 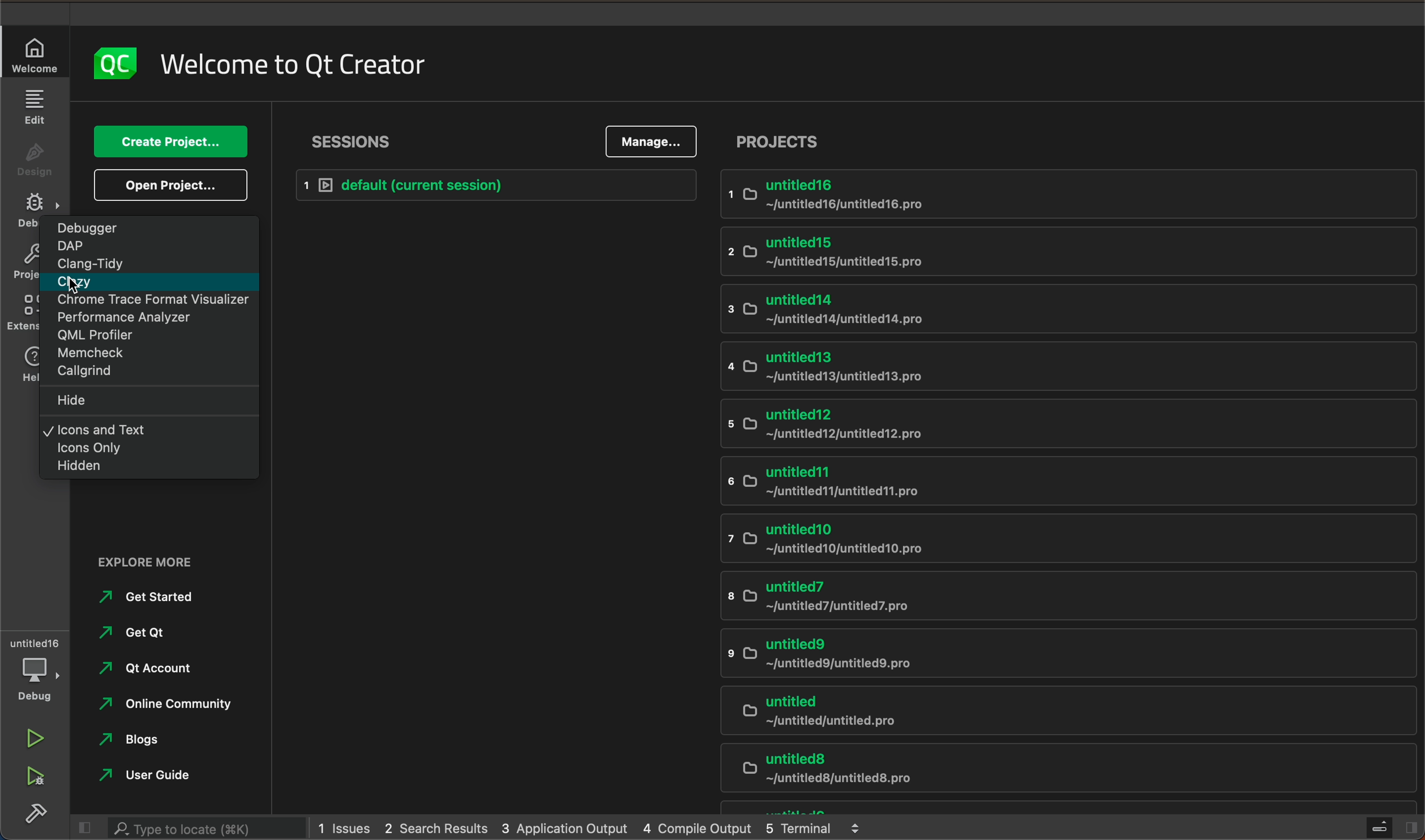 I want to click on projects list, so click(x=1073, y=488).